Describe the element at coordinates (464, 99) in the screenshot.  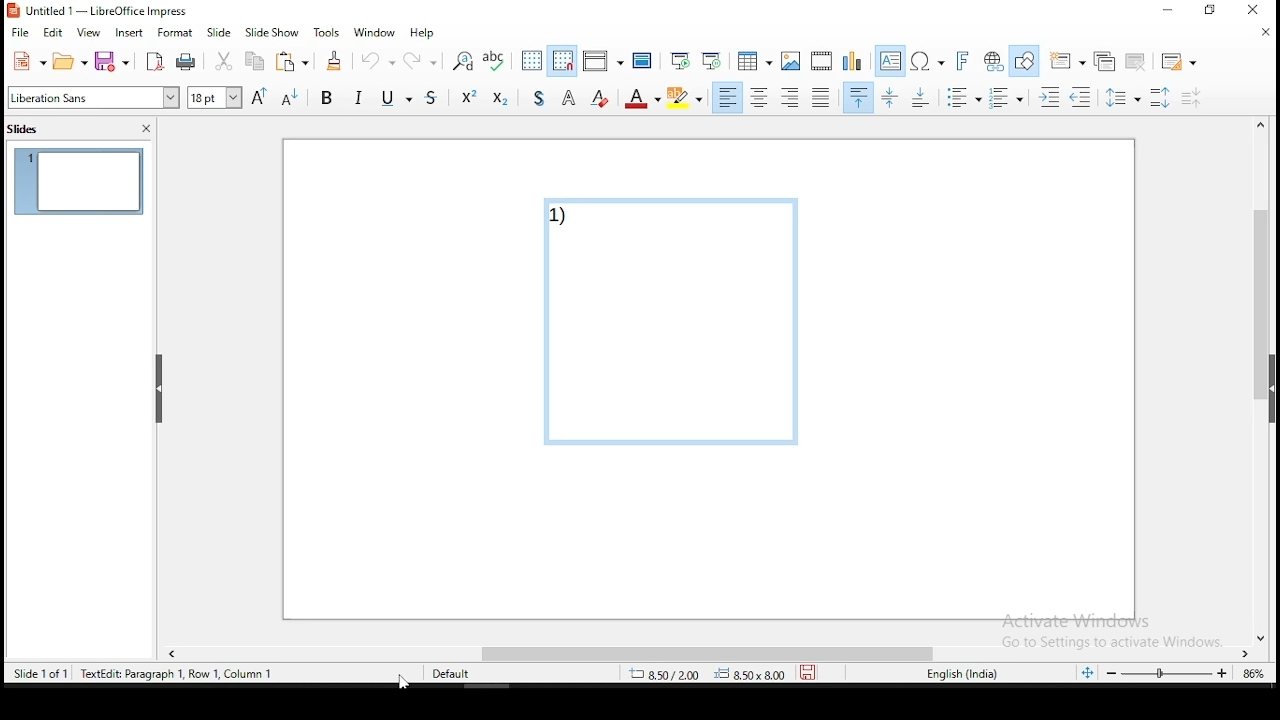
I see `supercript` at that location.